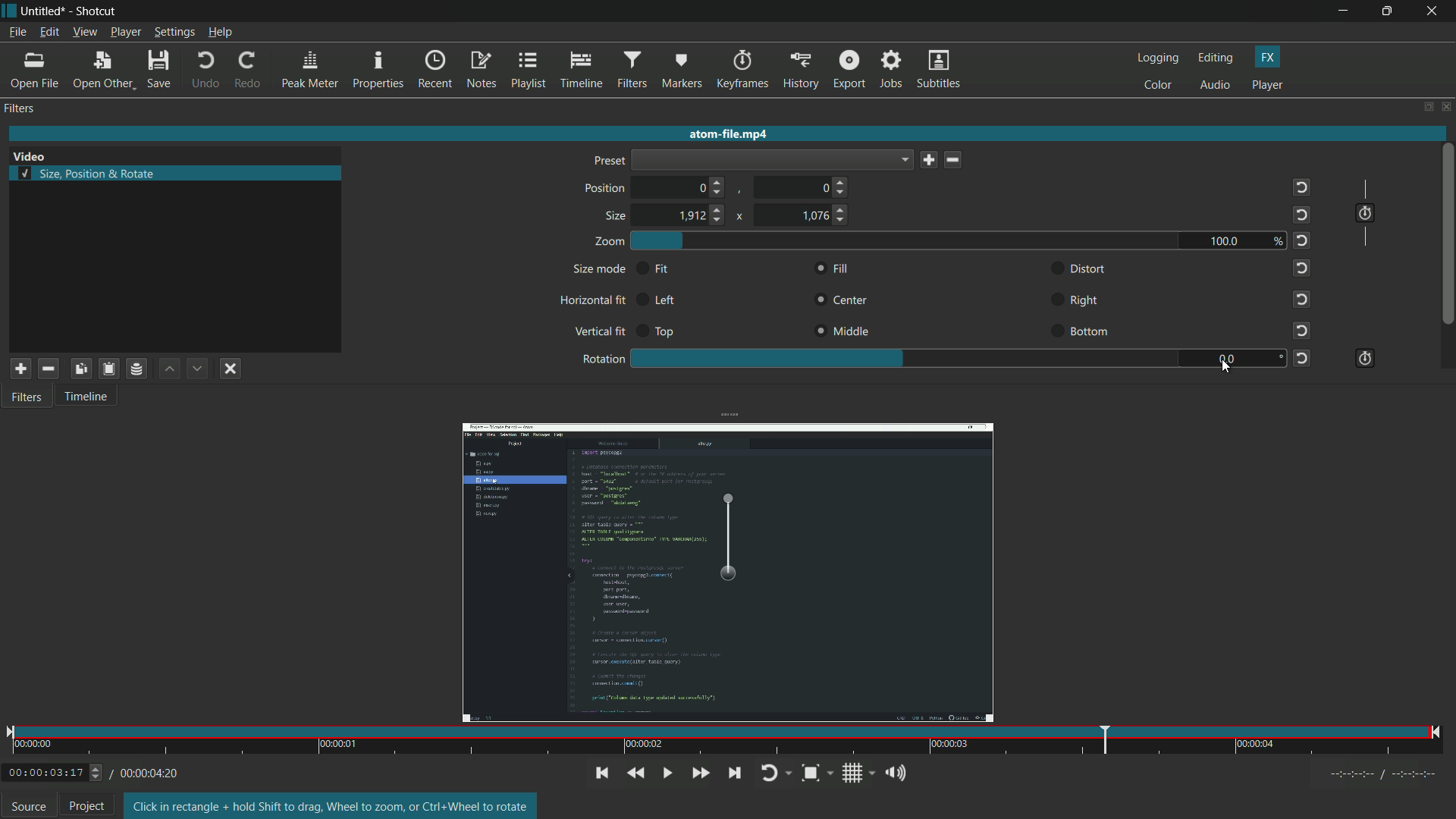 The height and width of the screenshot is (819, 1456). What do you see at coordinates (800, 71) in the screenshot?
I see `history` at bounding box center [800, 71].